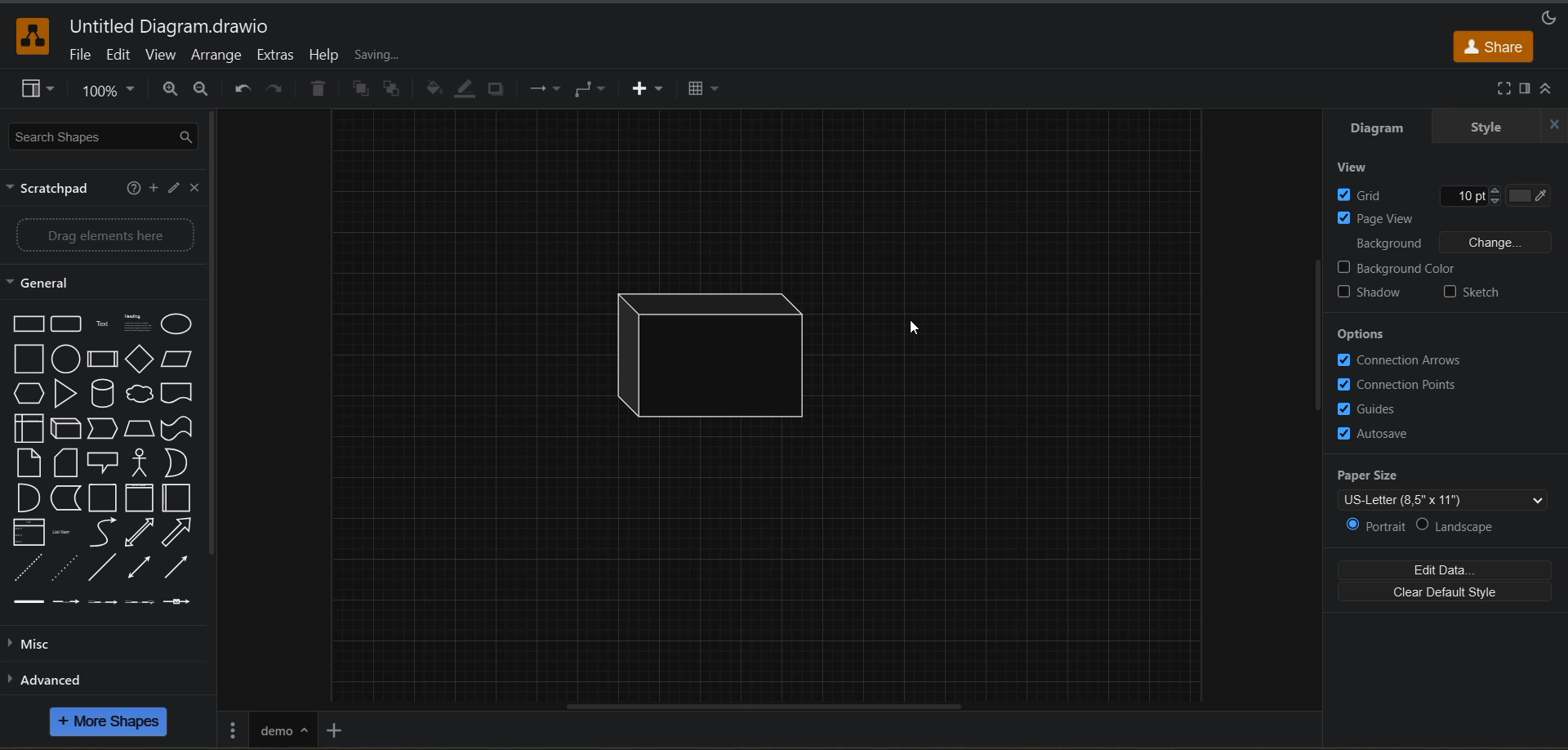  Describe the element at coordinates (234, 730) in the screenshot. I see `pages` at that location.